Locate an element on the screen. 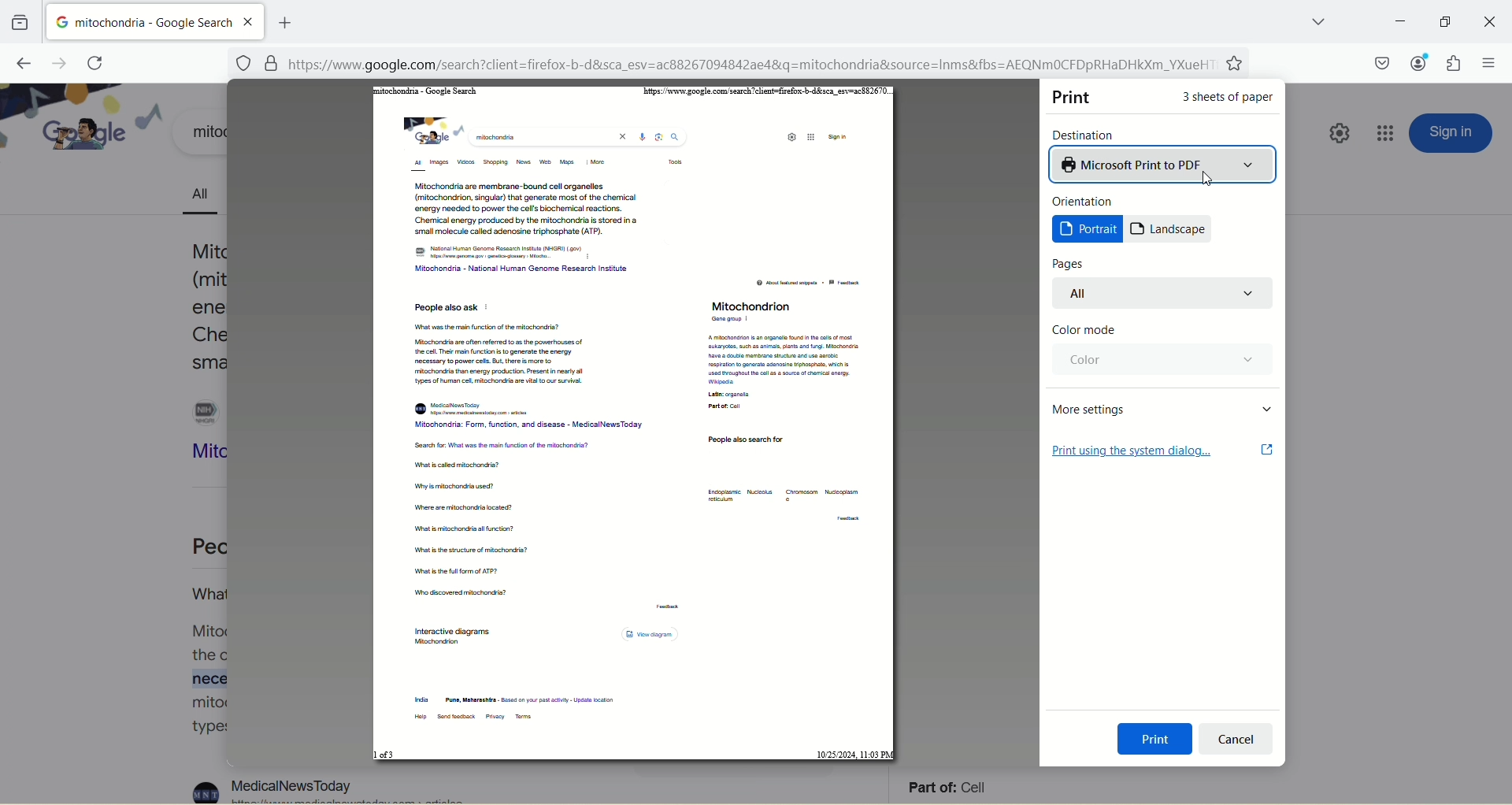 This screenshot has height=805, width=1512. close tab is located at coordinates (250, 21).